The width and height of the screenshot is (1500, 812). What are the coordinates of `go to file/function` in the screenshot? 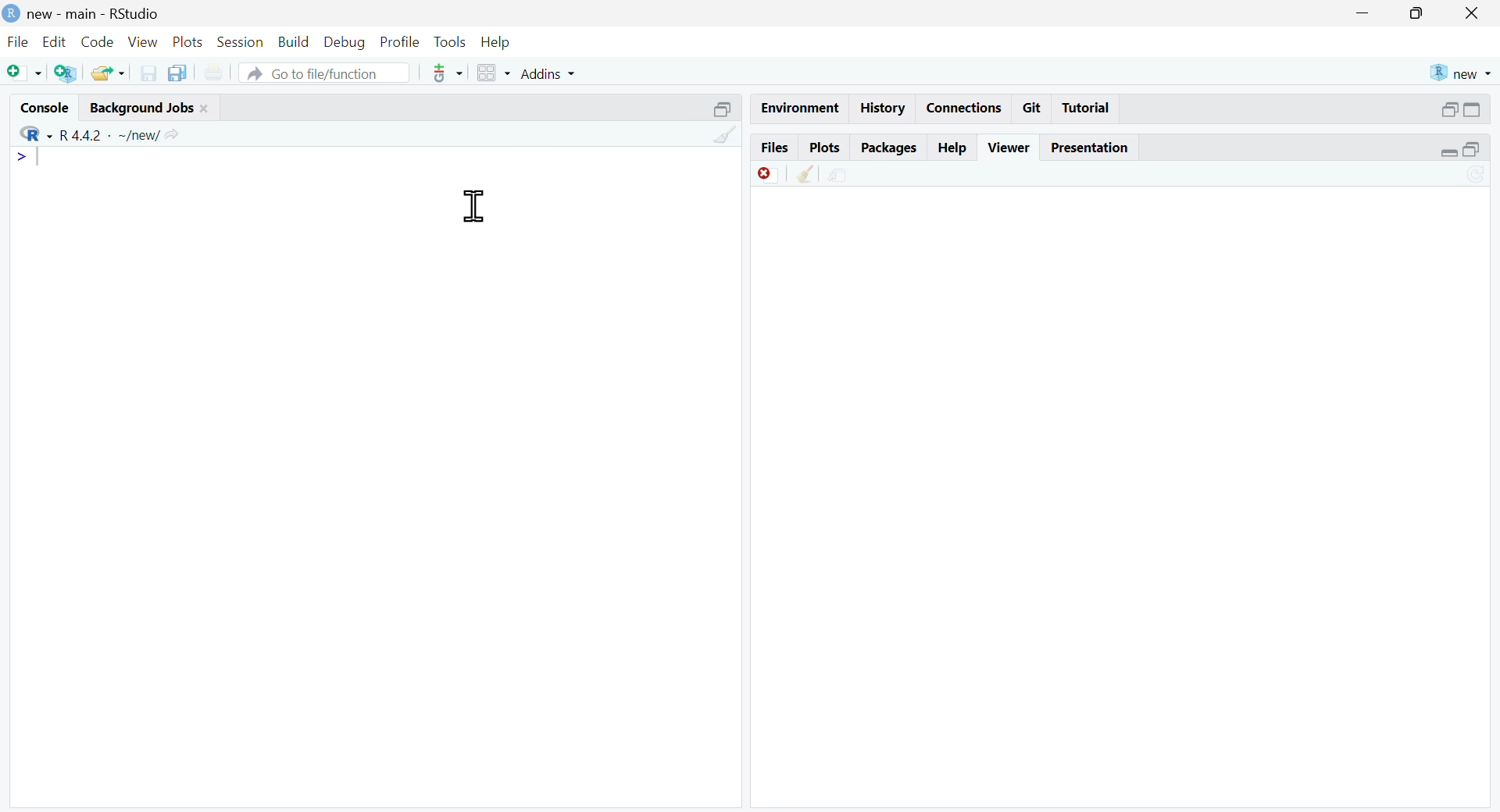 It's located at (323, 73).